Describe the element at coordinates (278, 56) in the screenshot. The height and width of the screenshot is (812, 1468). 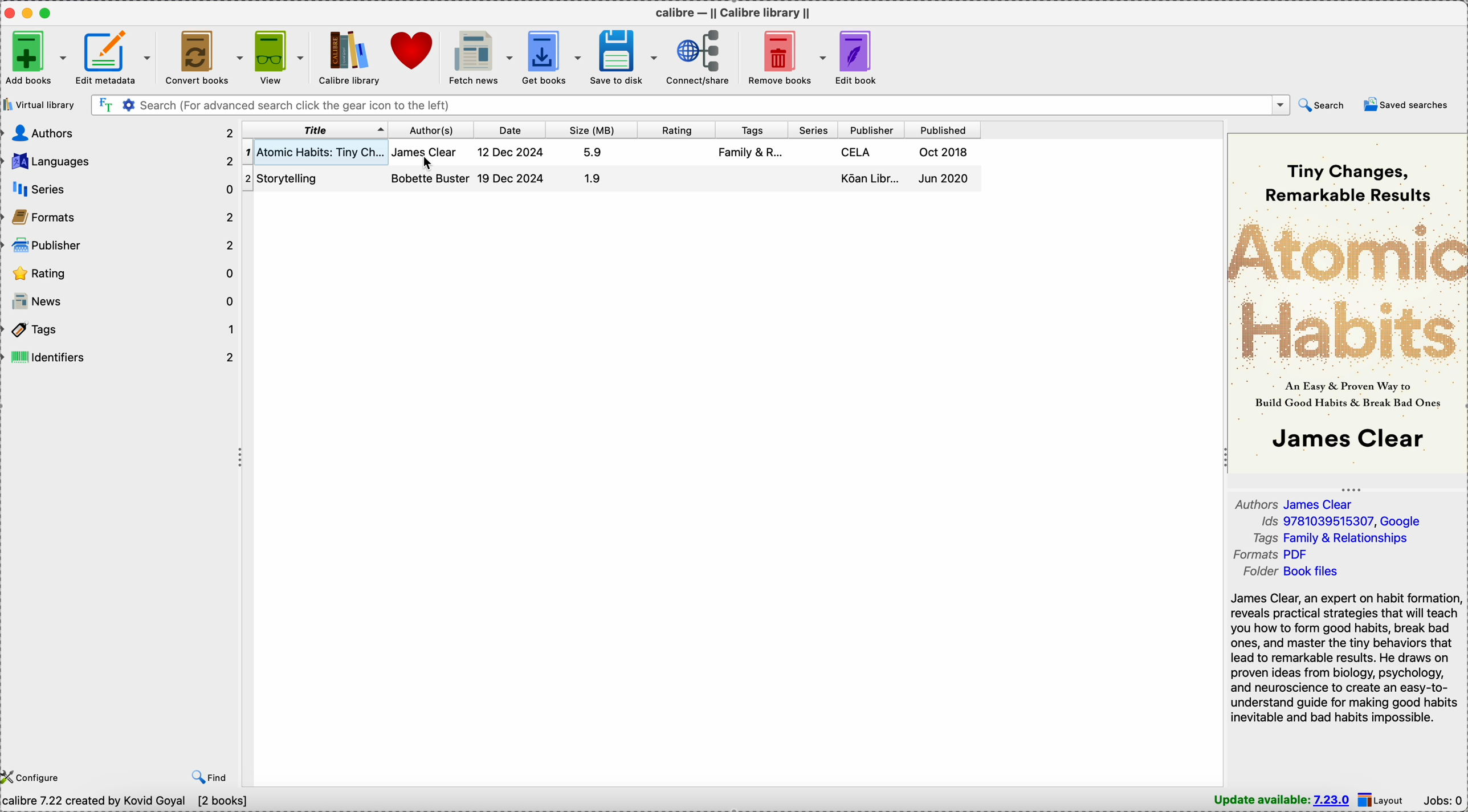
I see `view` at that location.